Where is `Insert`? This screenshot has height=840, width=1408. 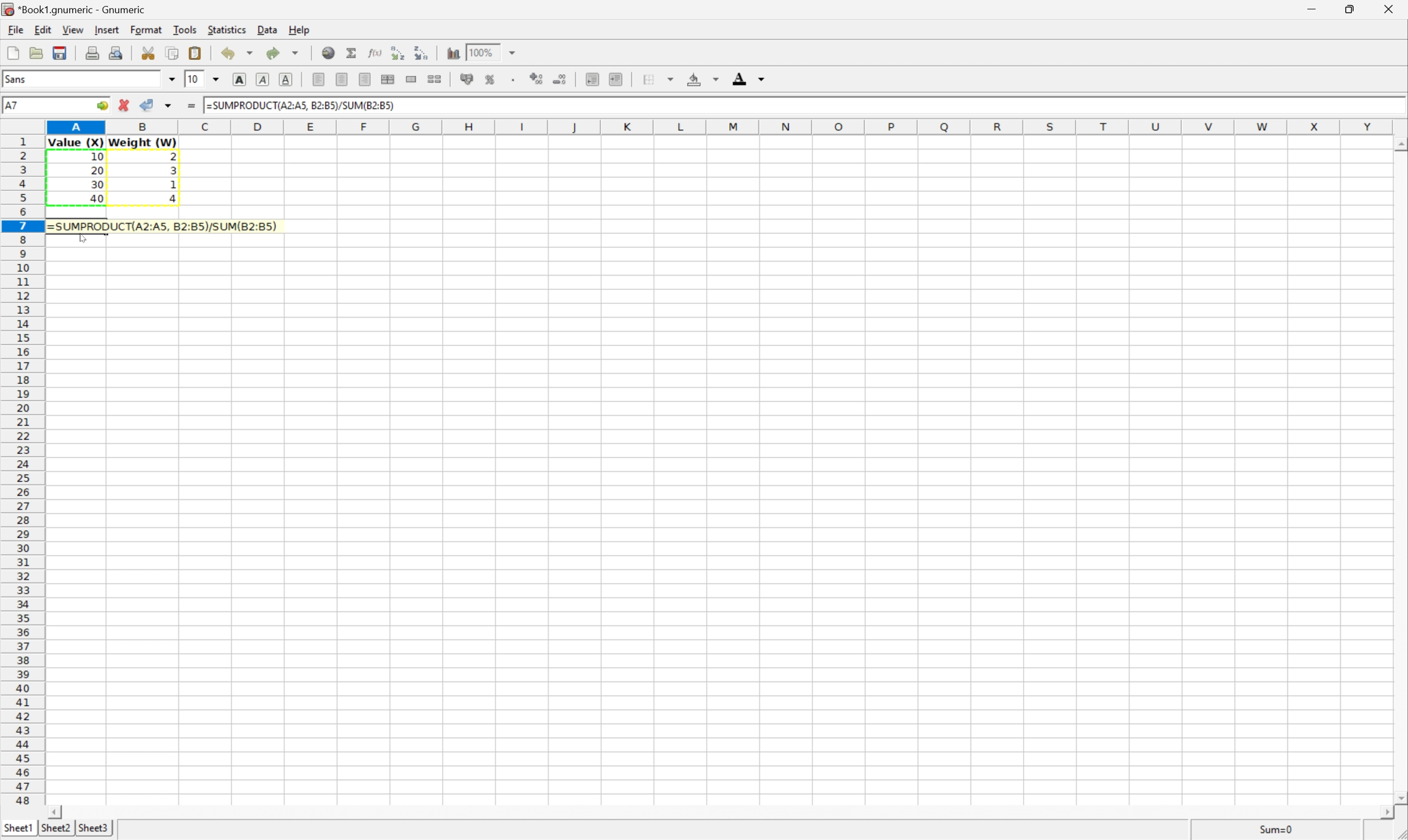
Insert is located at coordinates (108, 30).